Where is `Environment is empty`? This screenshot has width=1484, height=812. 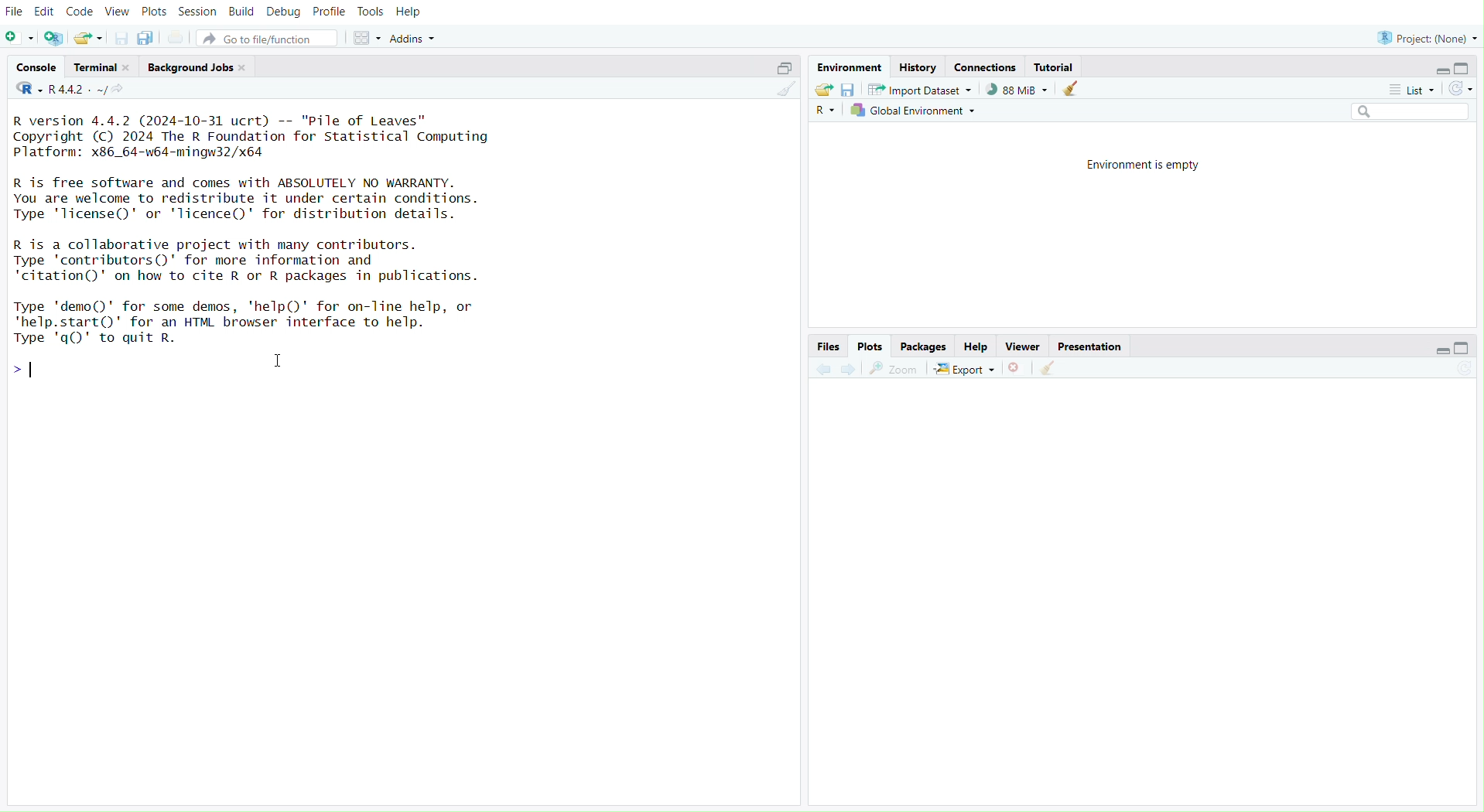 Environment is empty is located at coordinates (1149, 165).